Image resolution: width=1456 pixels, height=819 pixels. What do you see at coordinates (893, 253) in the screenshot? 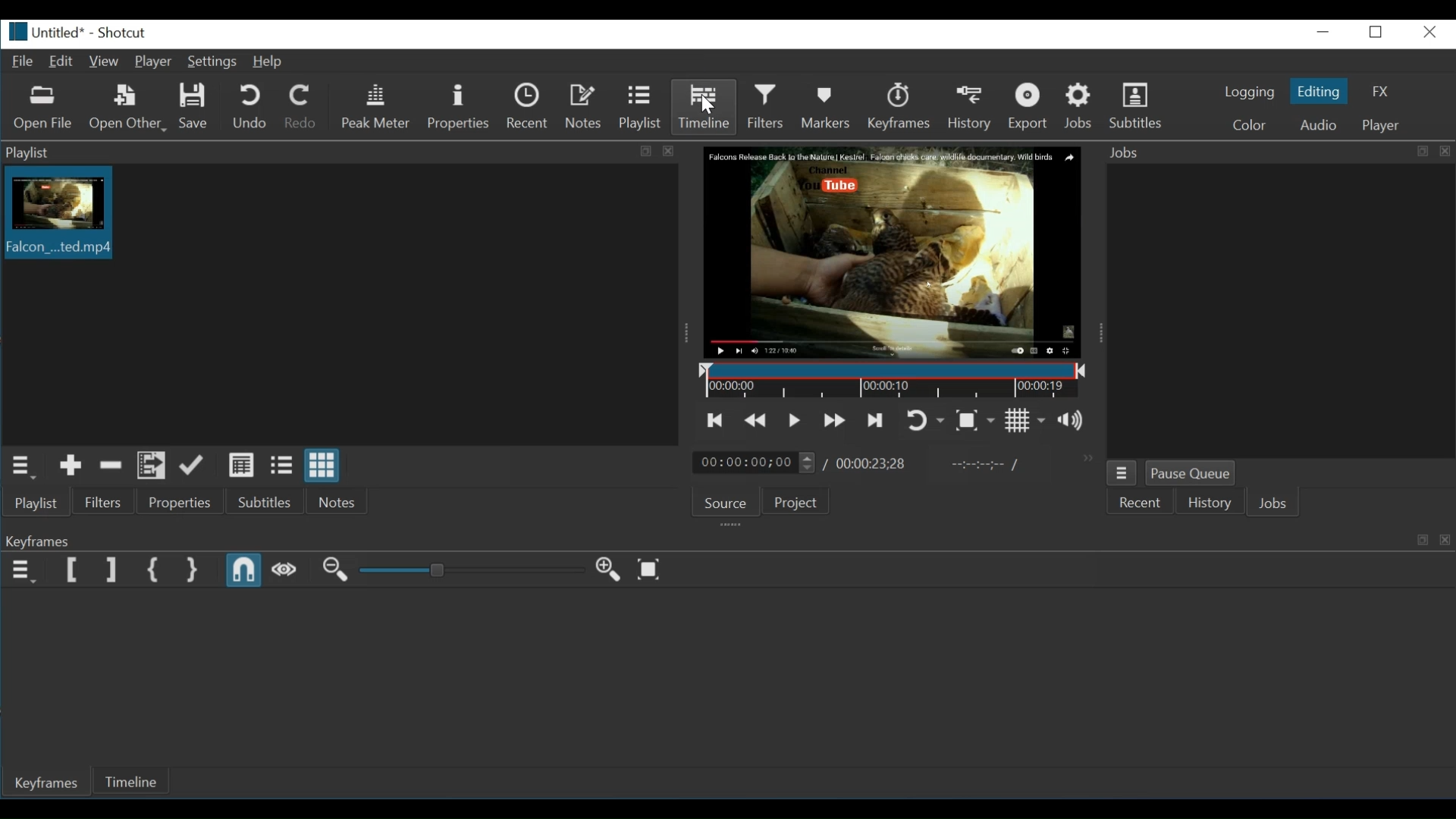
I see `Media Viewer` at bounding box center [893, 253].